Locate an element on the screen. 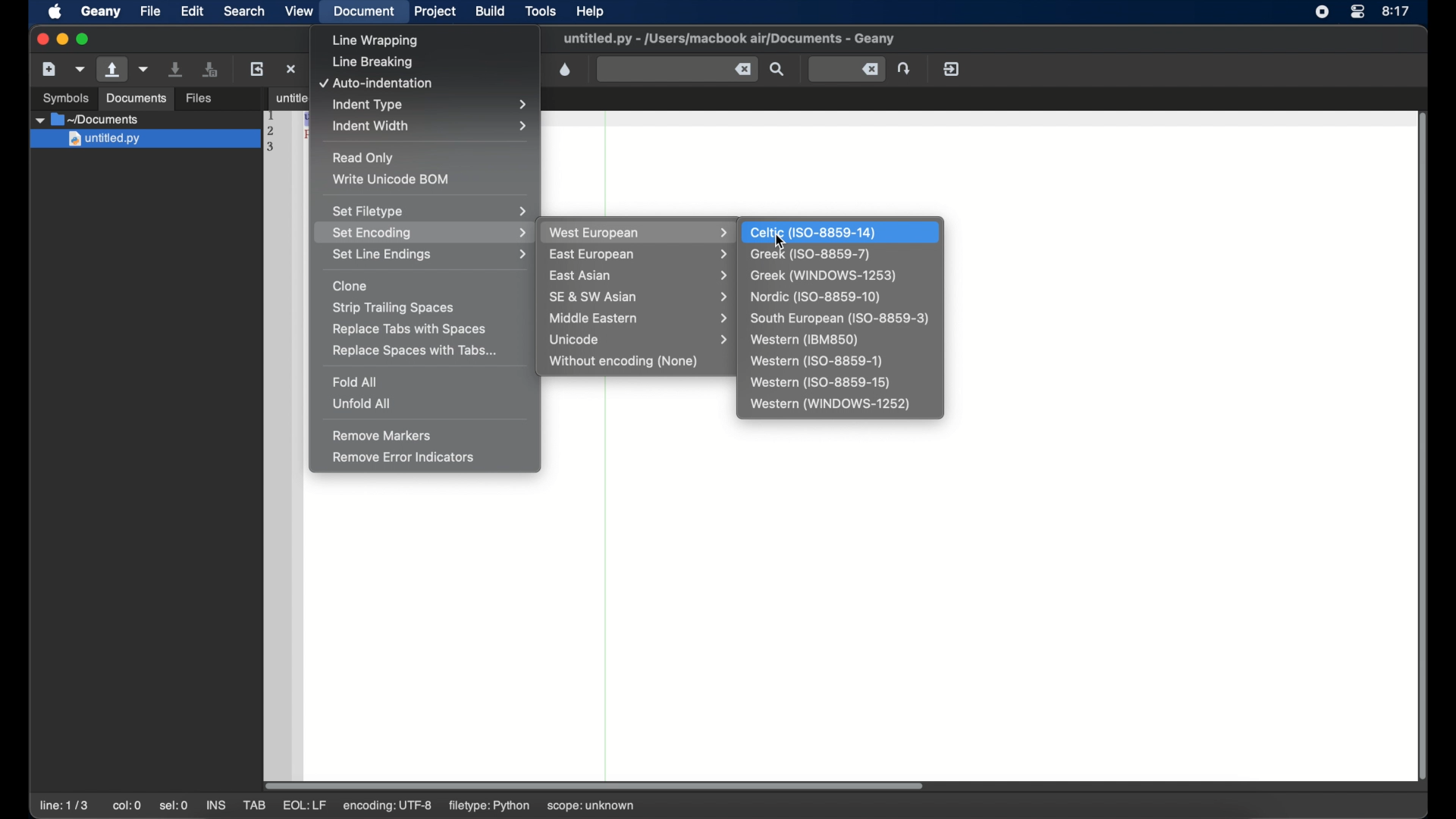 The image size is (1456, 819). jump to entered line number is located at coordinates (848, 69).